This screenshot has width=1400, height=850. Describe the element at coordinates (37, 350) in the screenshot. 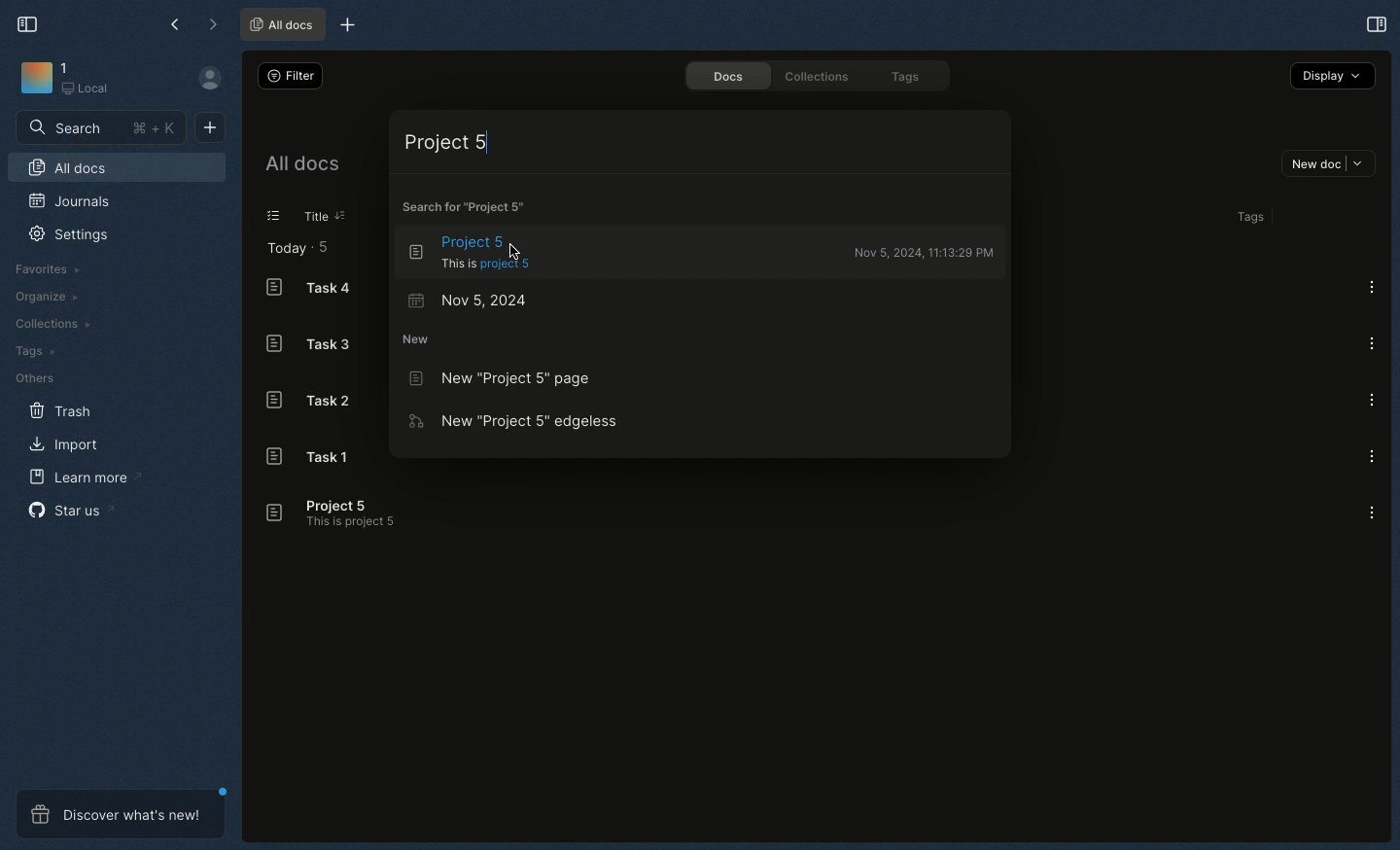

I see `Tags` at that location.